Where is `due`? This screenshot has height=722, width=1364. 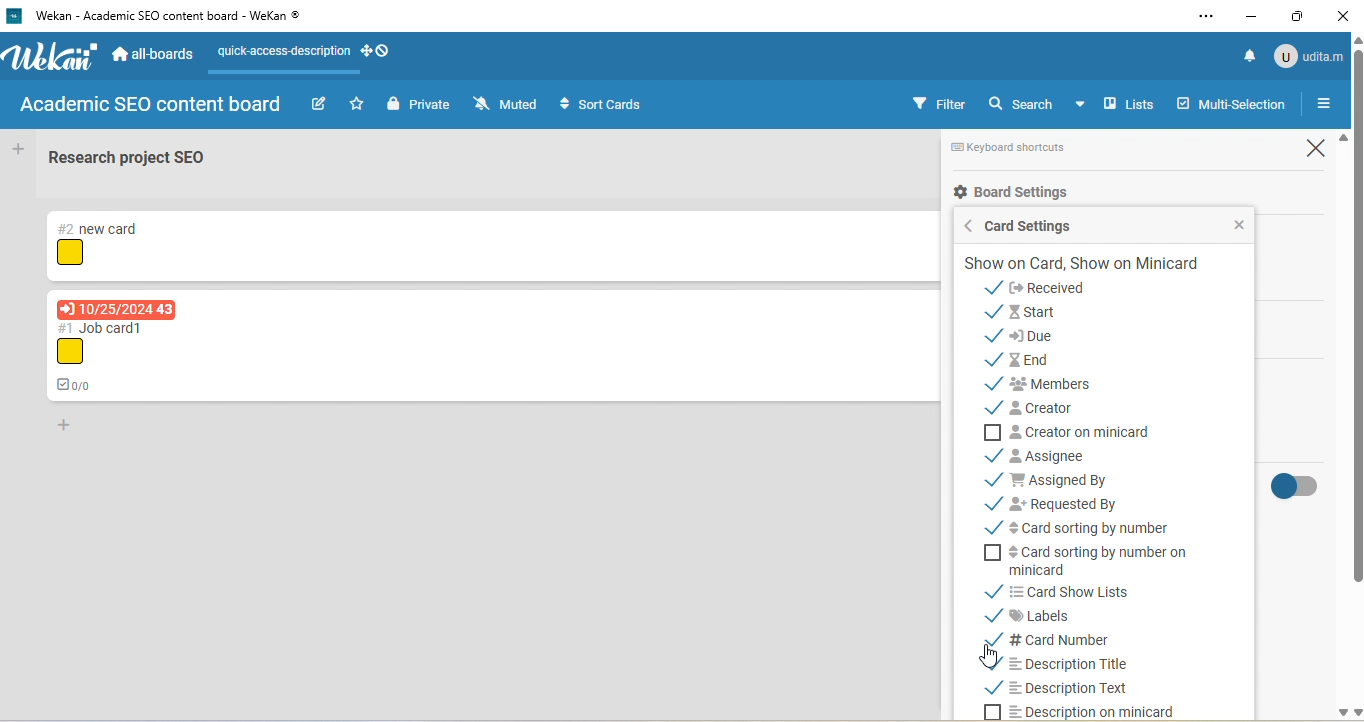
due is located at coordinates (1057, 336).